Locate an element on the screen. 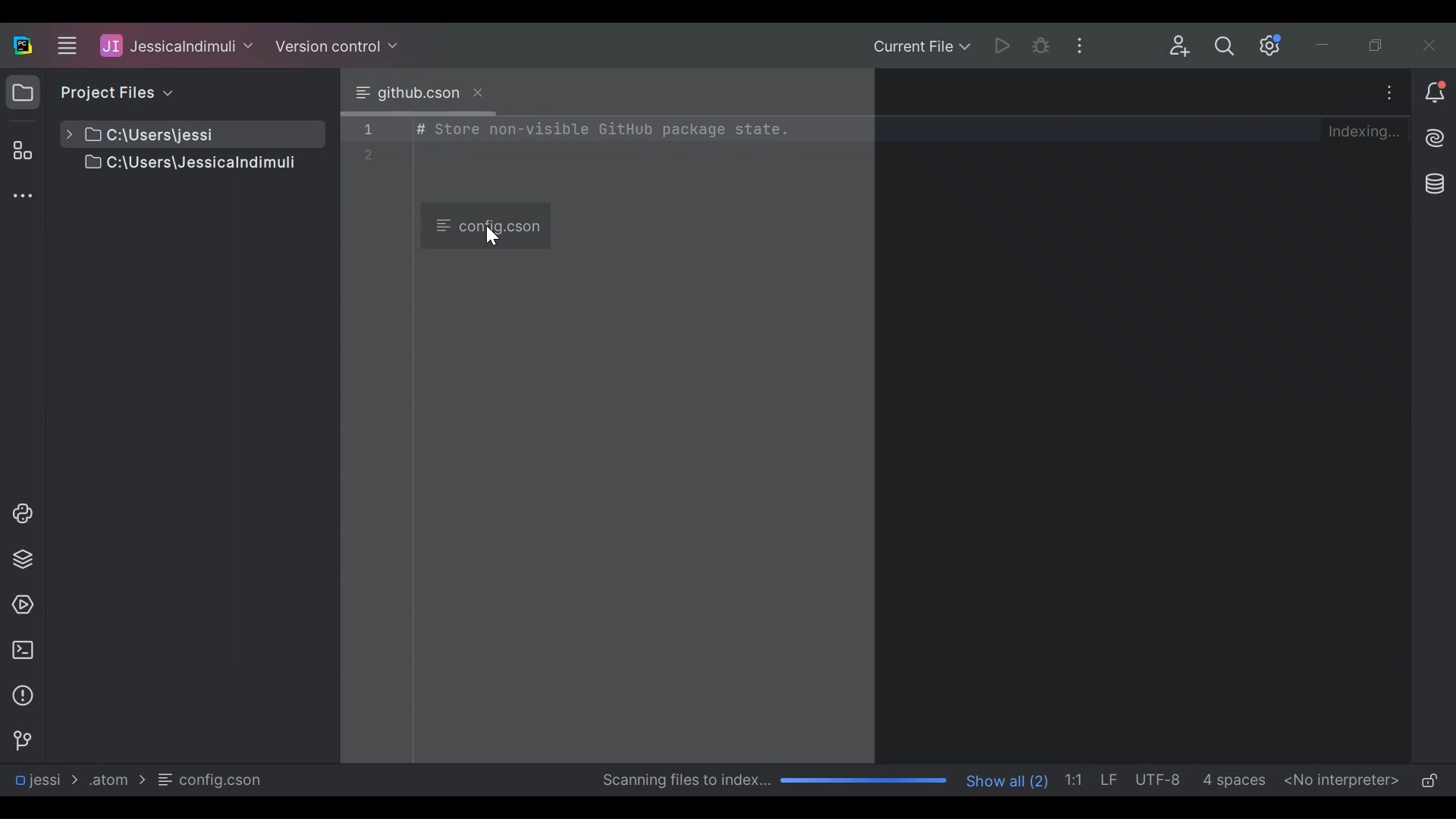 This screenshot has height=819, width=1456. Project File is located at coordinates (174, 165).